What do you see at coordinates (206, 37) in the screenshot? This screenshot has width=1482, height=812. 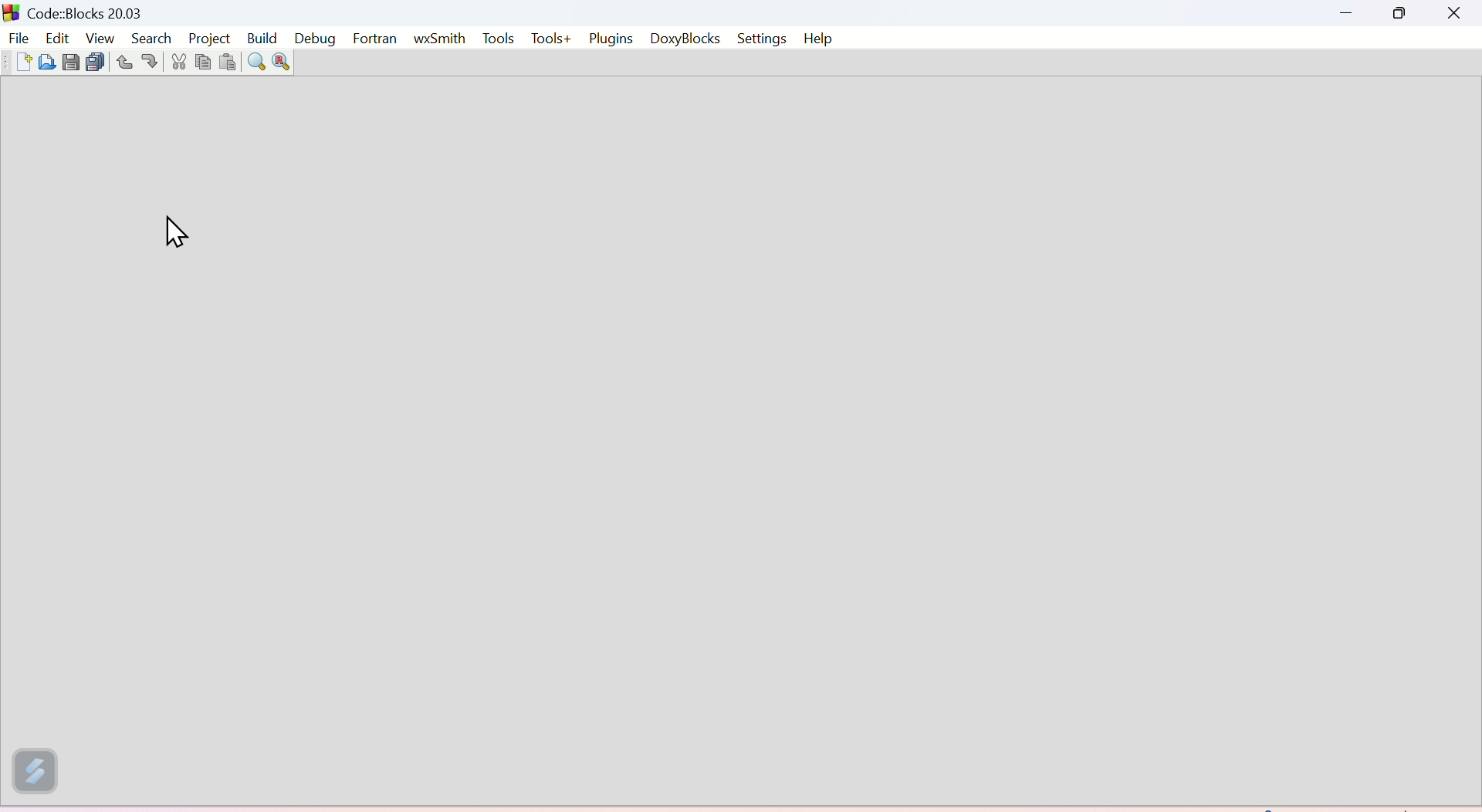 I see `Project` at bounding box center [206, 37].